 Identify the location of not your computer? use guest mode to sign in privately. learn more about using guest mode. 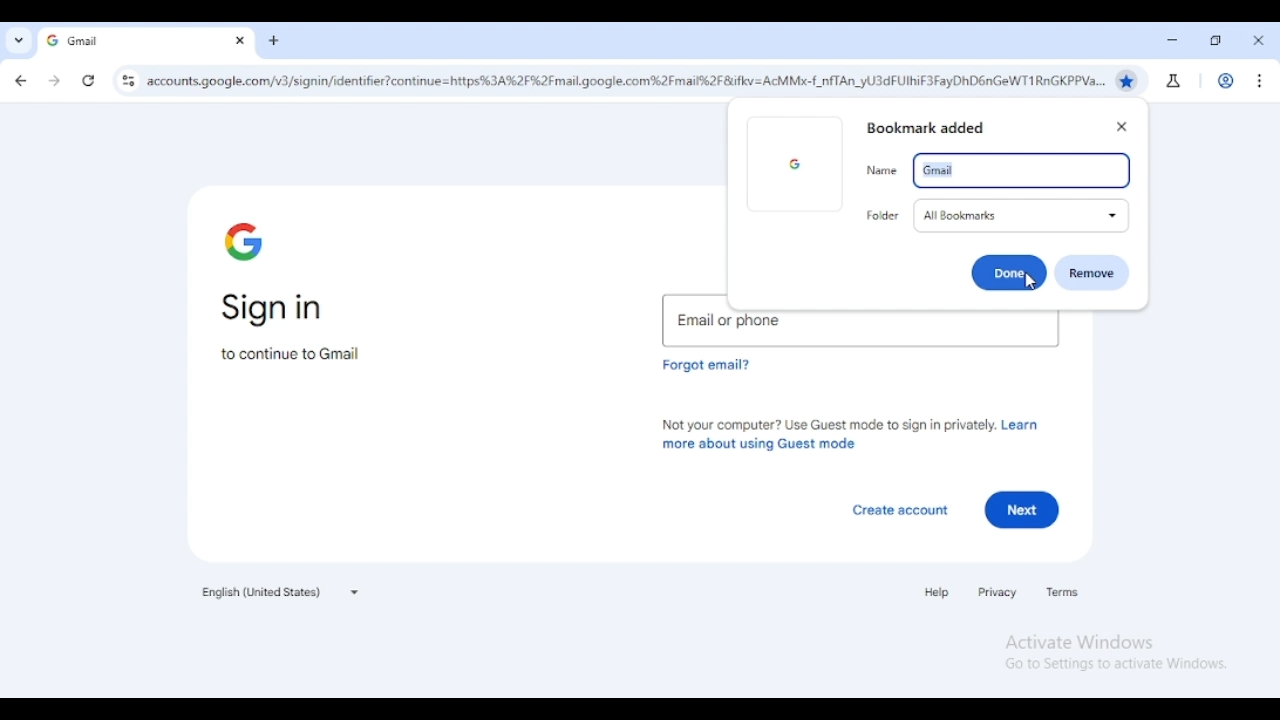
(853, 434).